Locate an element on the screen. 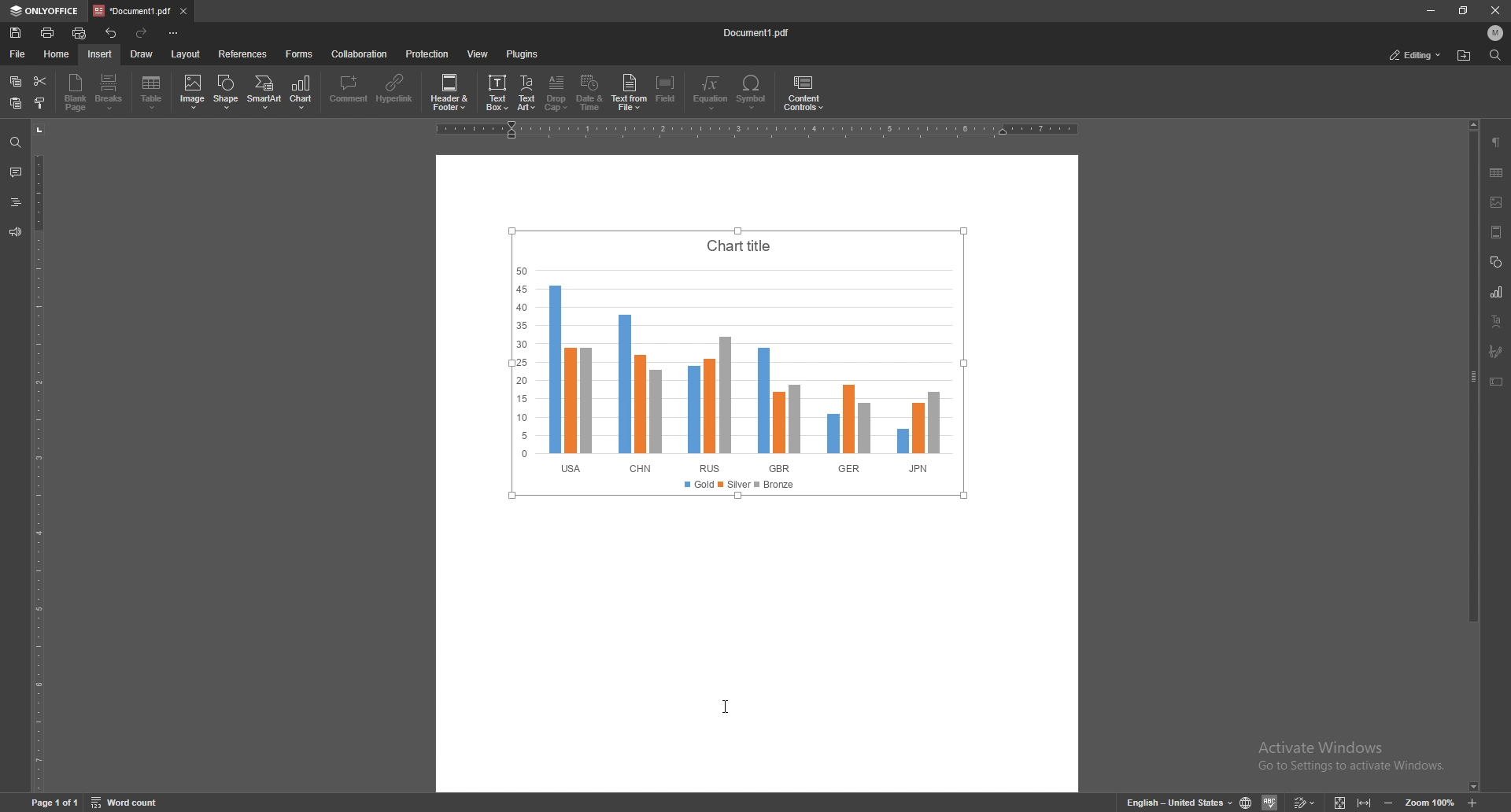  undo is located at coordinates (112, 34).